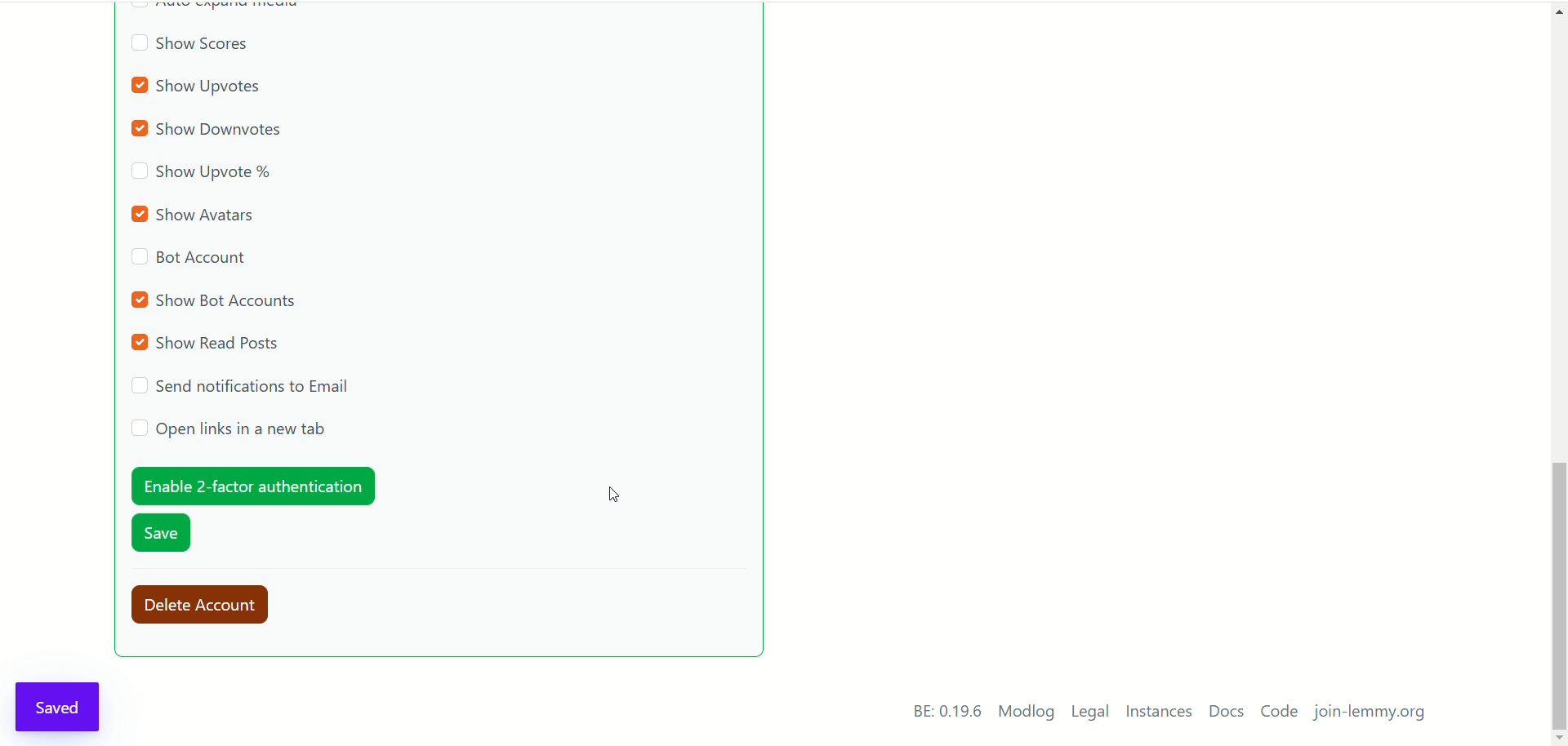  Describe the element at coordinates (251, 486) in the screenshot. I see `enable 2 factor authentication` at that location.